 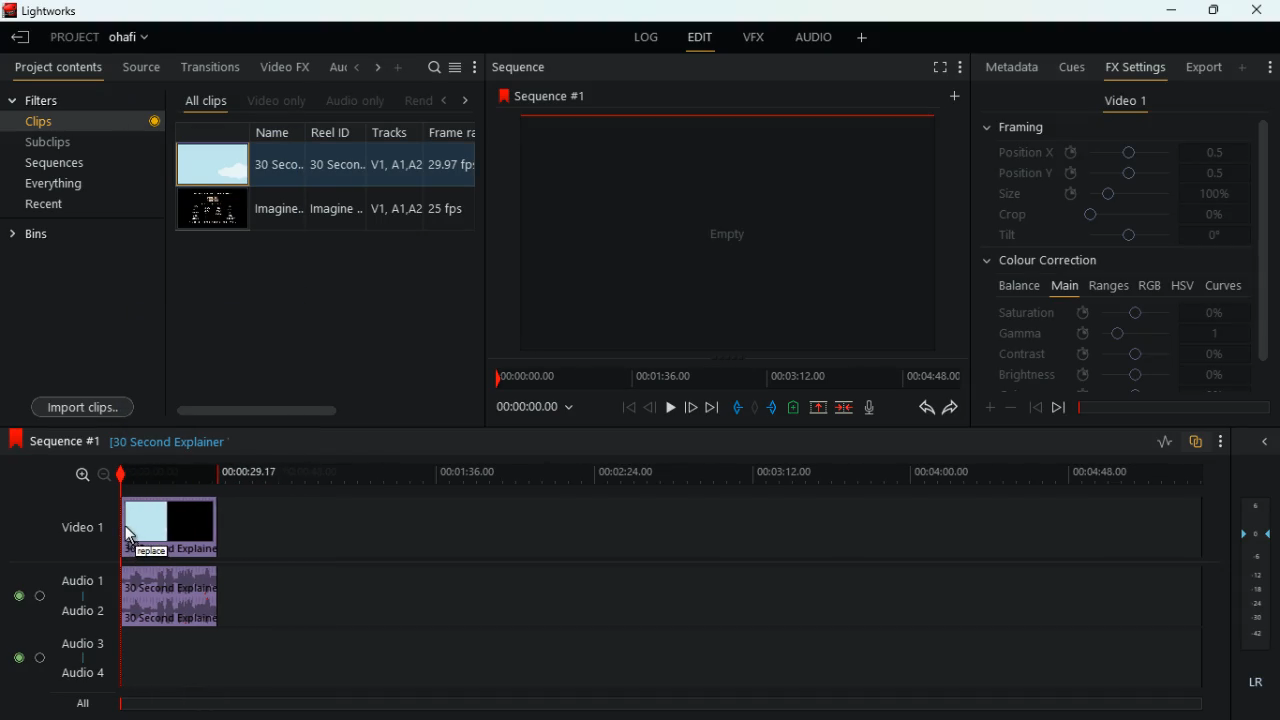 What do you see at coordinates (443, 100) in the screenshot?
I see `left` at bounding box center [443, 100].